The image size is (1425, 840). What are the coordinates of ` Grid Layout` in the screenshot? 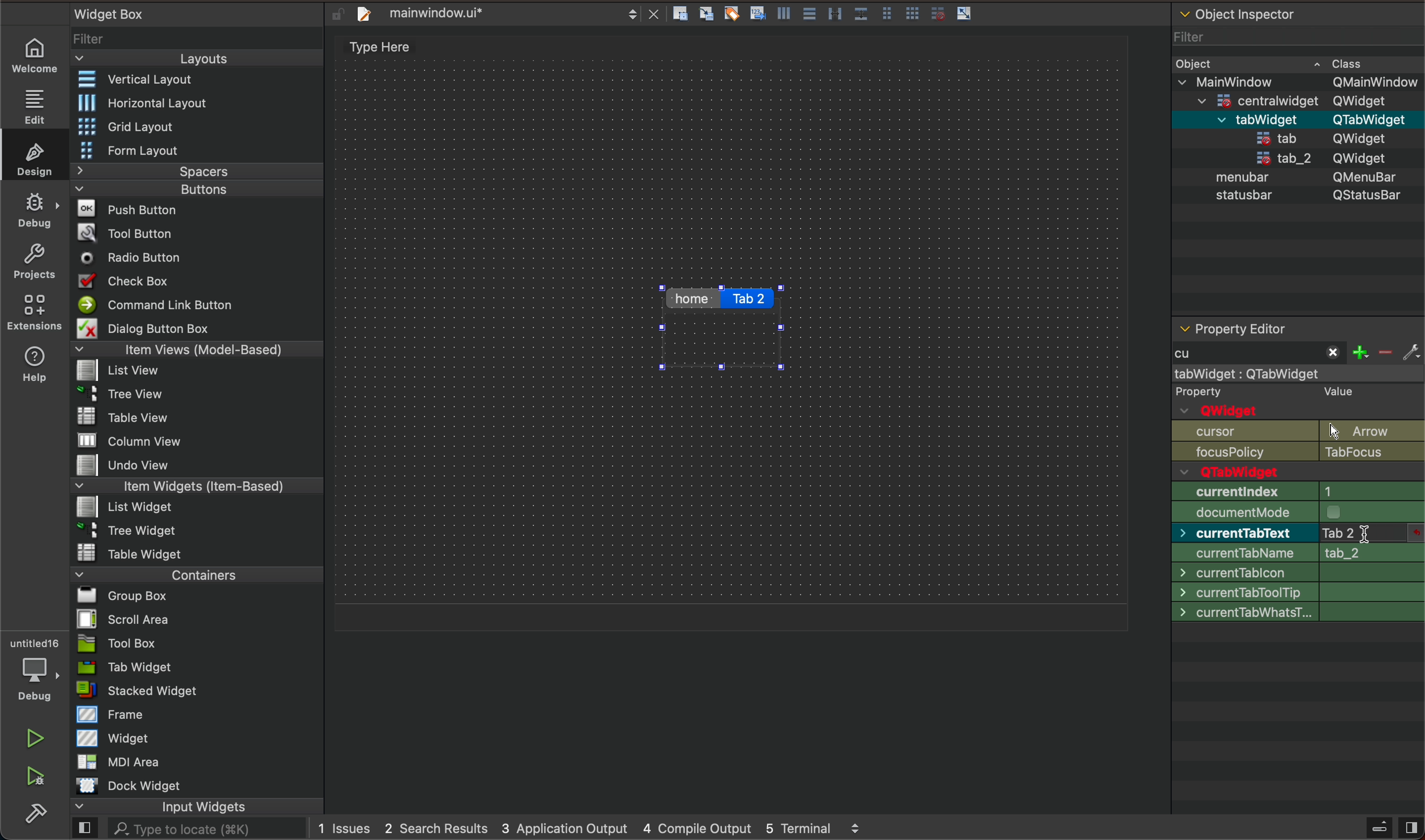 It's located at (120, 126).